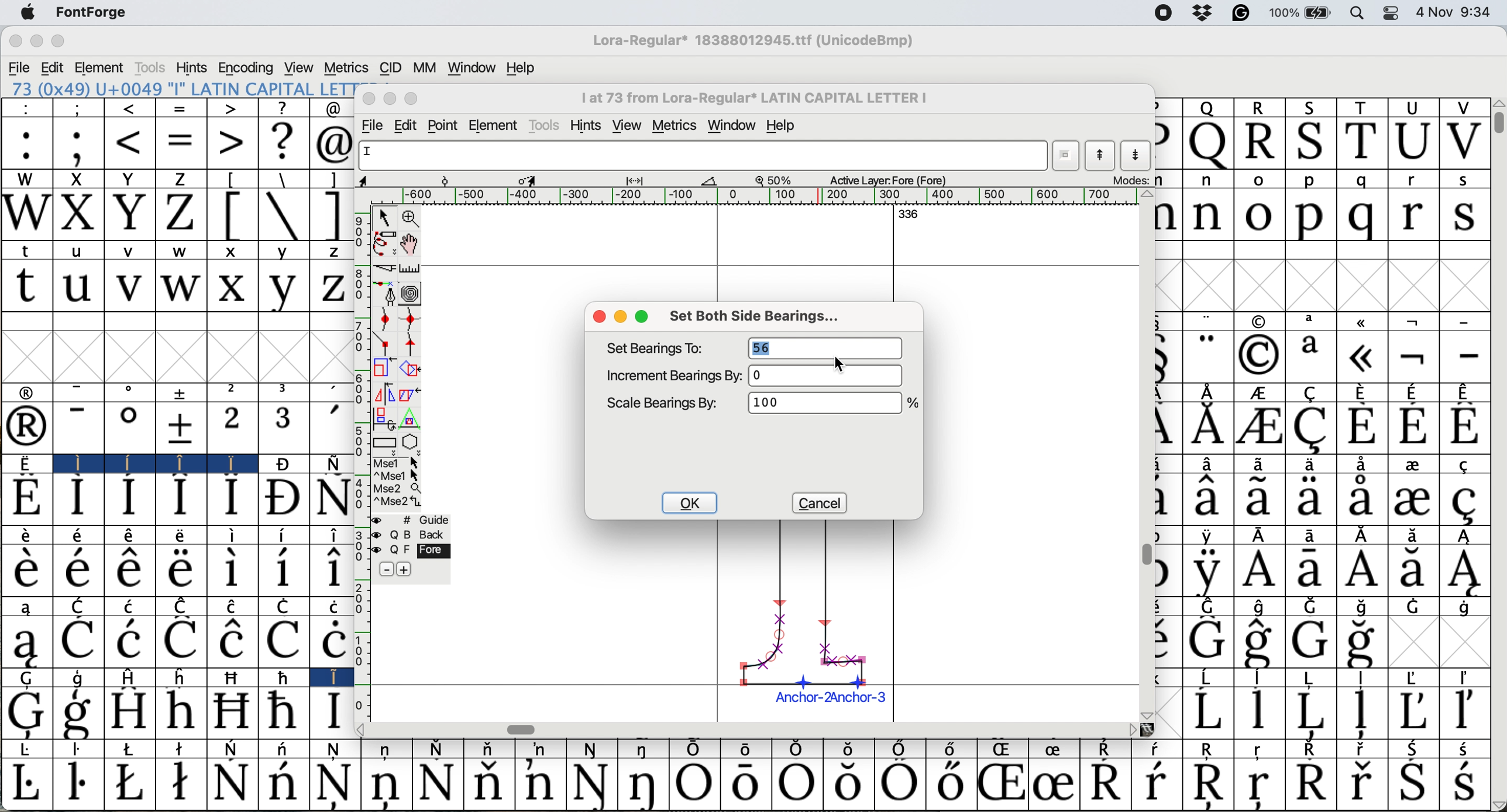 The height and width of the screenshot is (812, 1507). I want to click on Symbol, so click(1360, 356).